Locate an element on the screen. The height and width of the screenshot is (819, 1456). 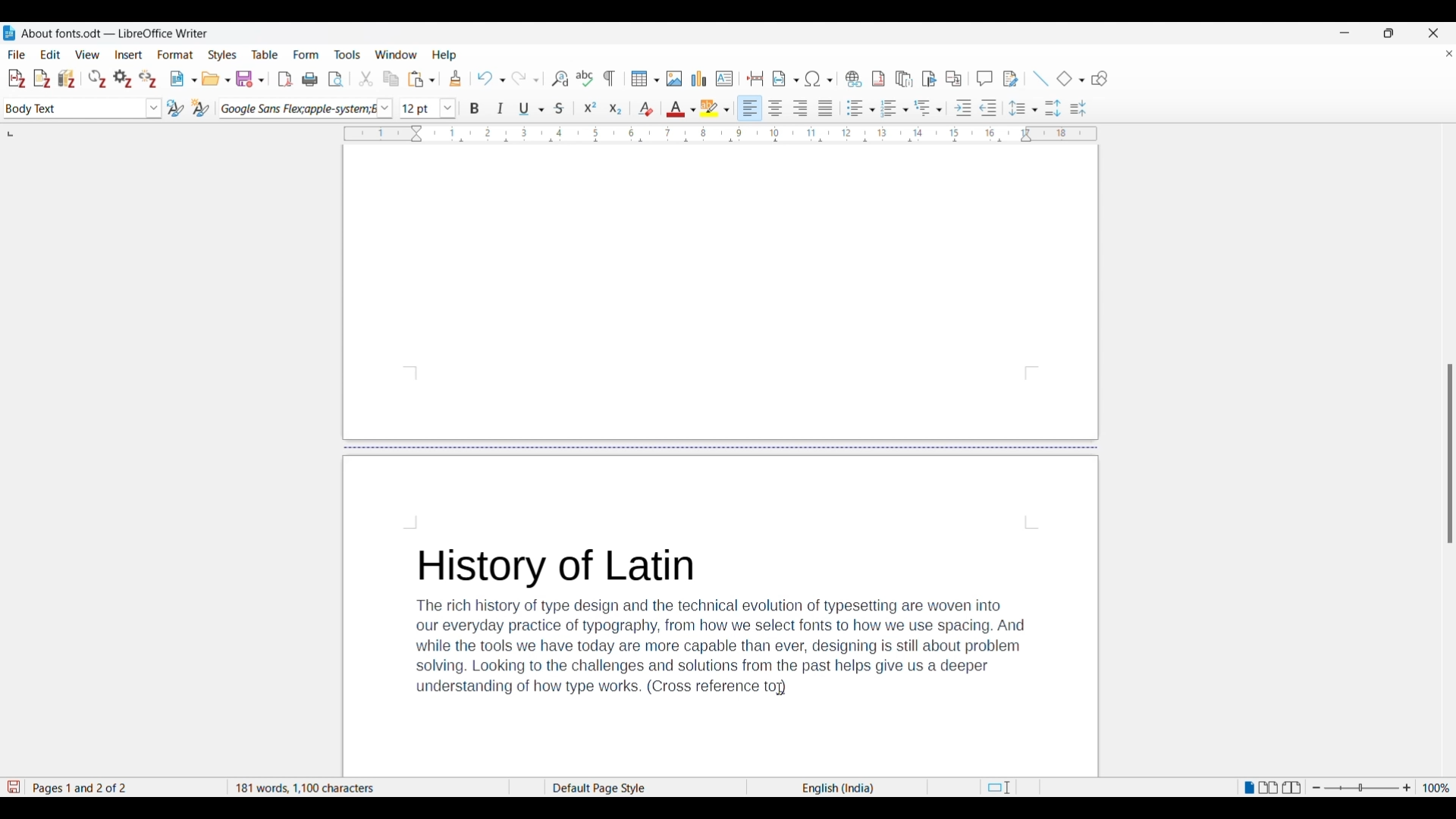
Set document preferences is located at coordinates (123, 79).